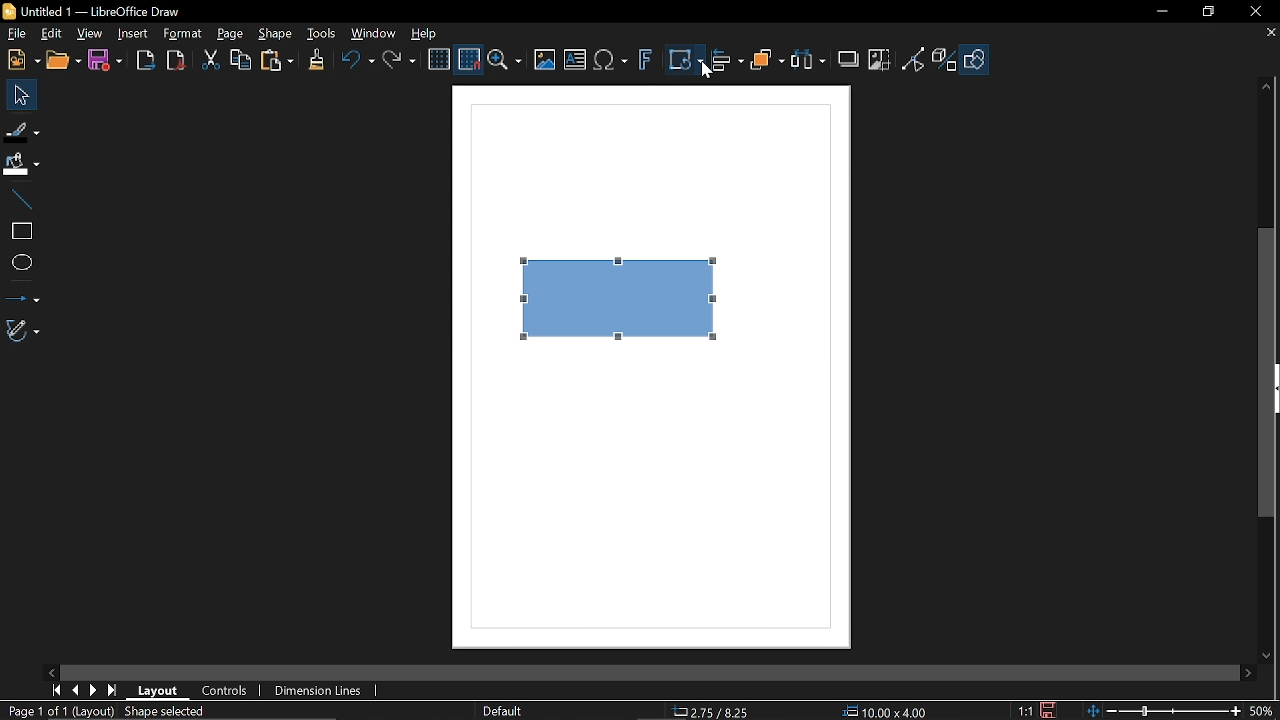 This screenshot has width=1280, height=720. I want to click on Redo, so click(398, 62).